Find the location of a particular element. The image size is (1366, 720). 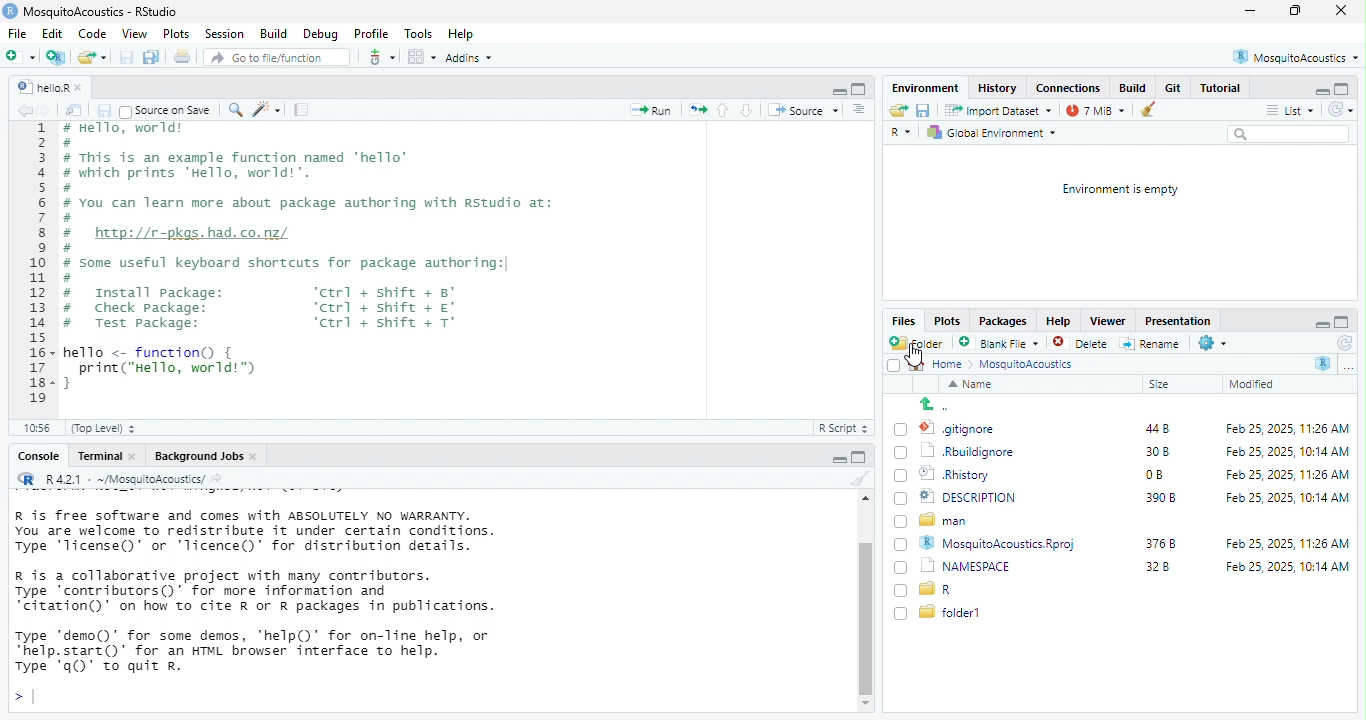

 Run is located at coordinates (653, 112).